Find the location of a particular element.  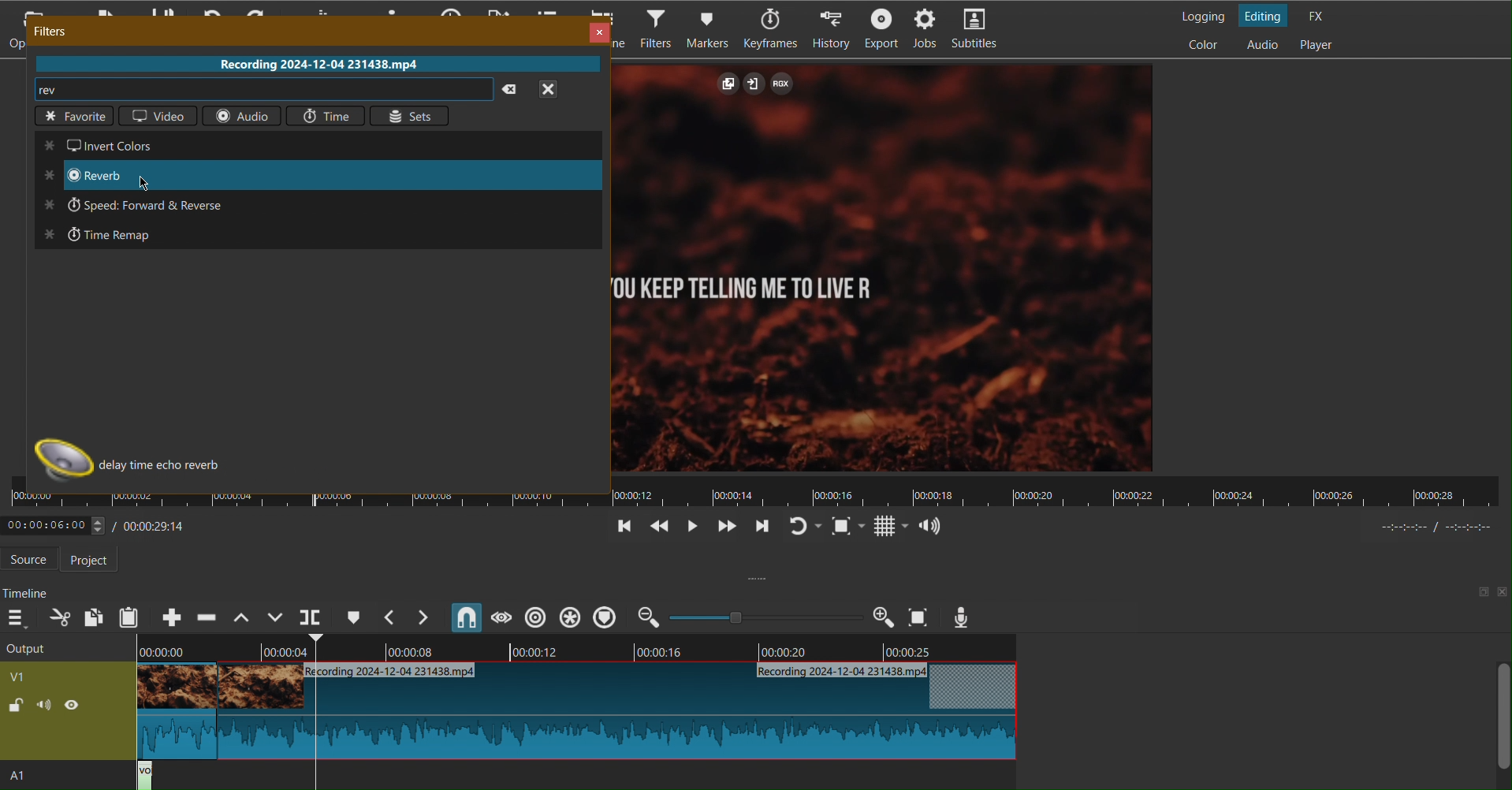

A1 is located at coordinates (32, 777).